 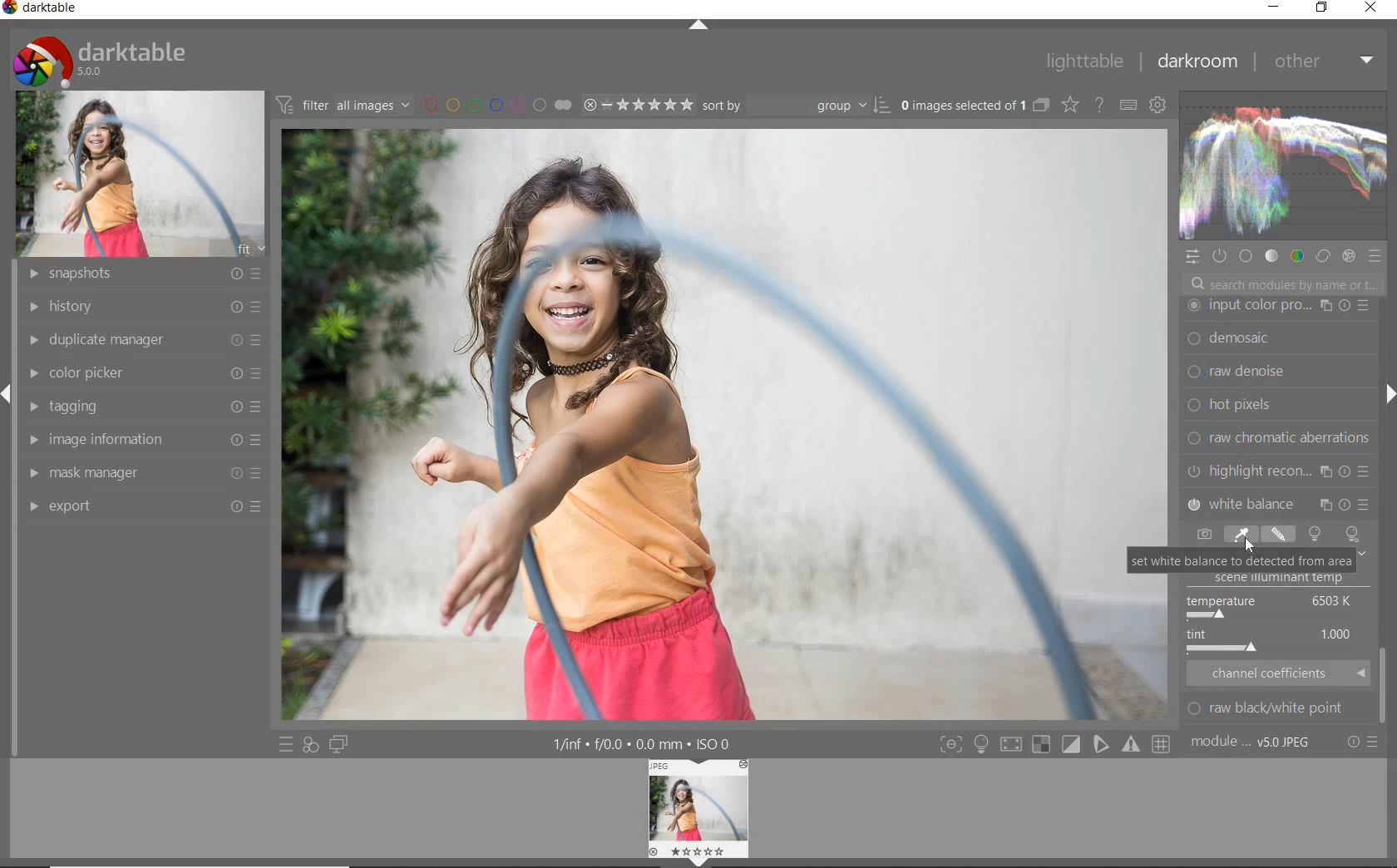 I want to click on waveform, so click(x=1281, y=165).